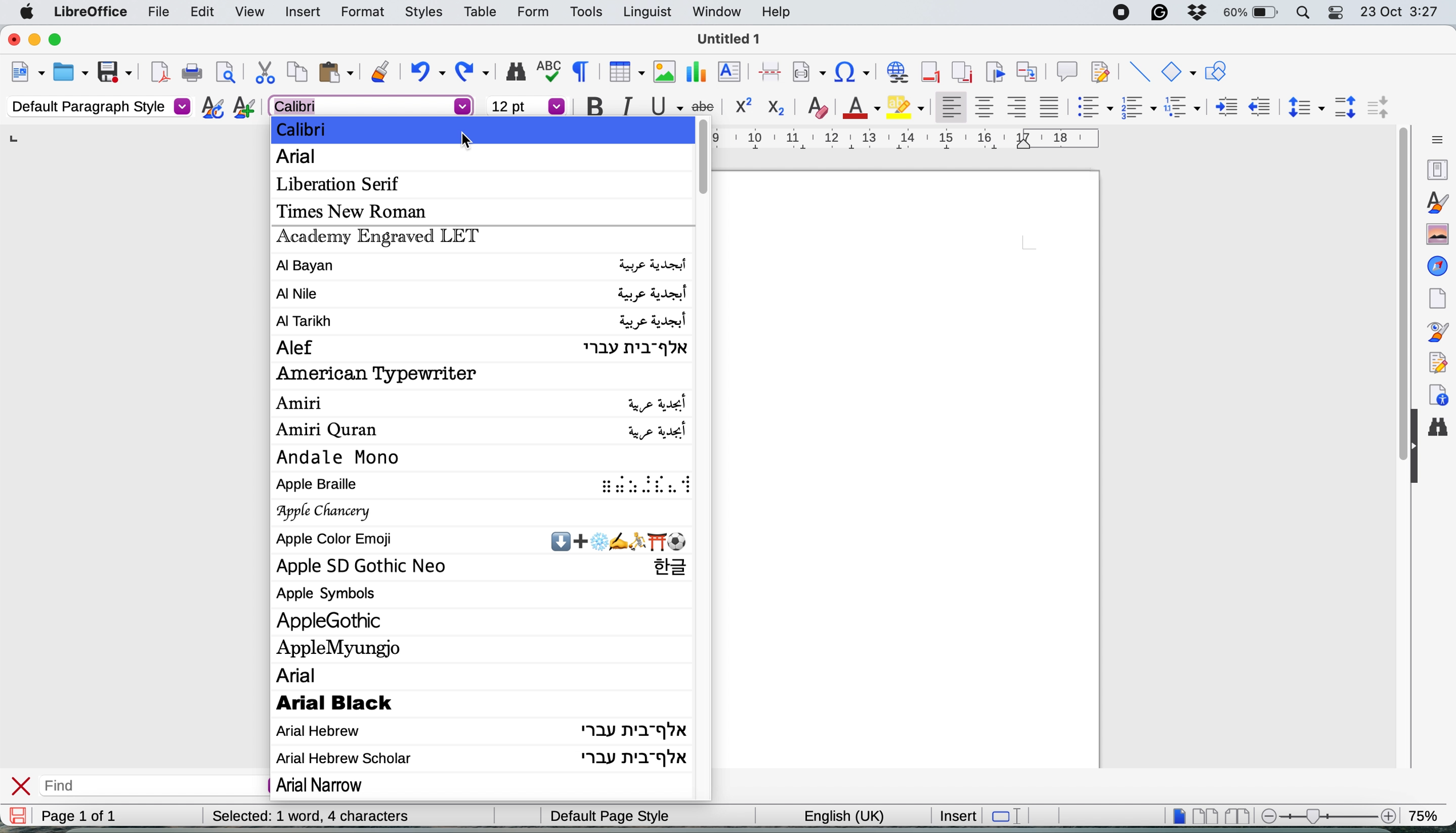 The image size is (1456, 833). Describe the element at coordinates (335, 620) in the screenshot. I see `apple gothis` at that location.